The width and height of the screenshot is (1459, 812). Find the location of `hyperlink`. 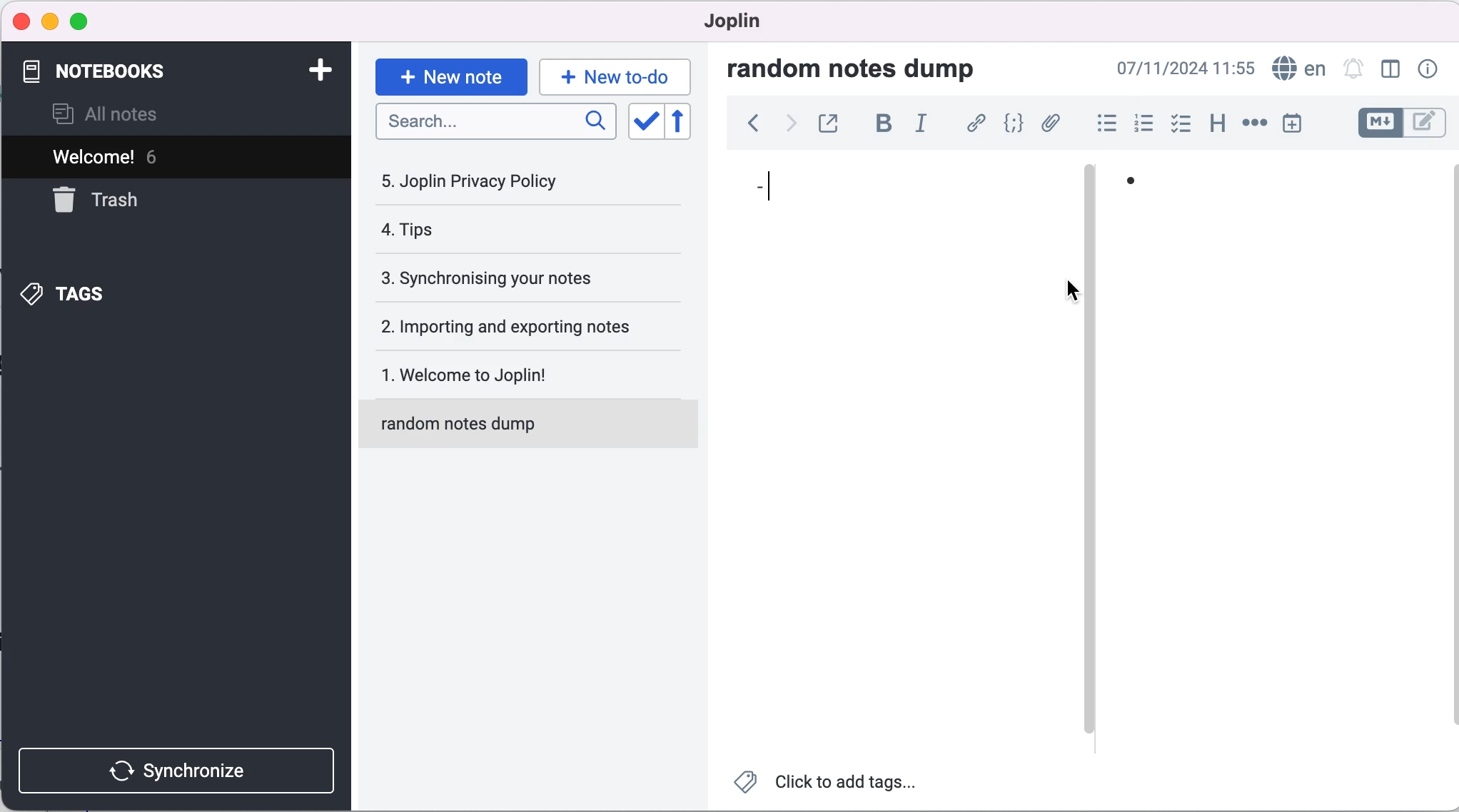

hyperlink is located at coordinates (973, 124).